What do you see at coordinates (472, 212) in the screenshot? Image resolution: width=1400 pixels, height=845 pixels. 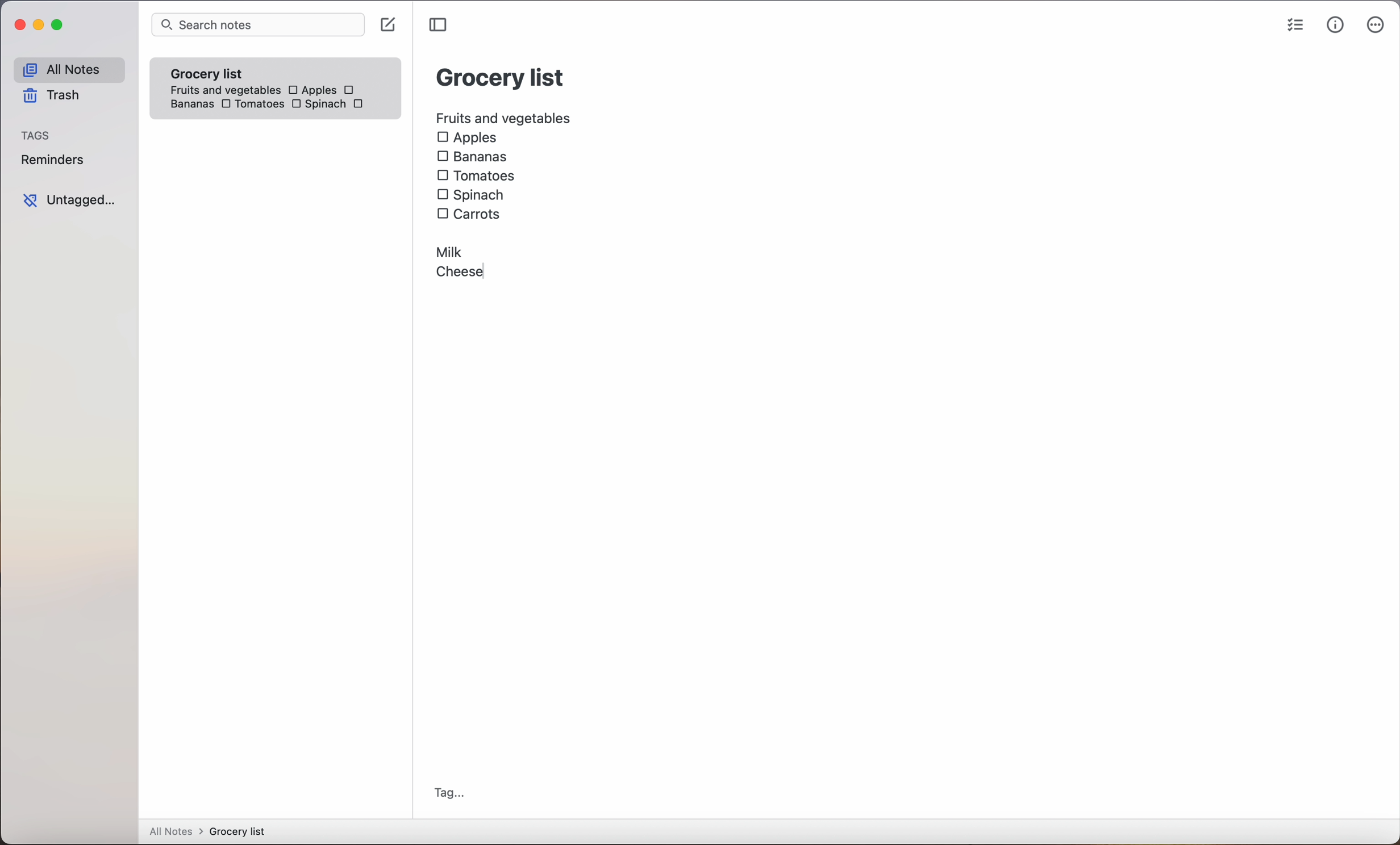 I see `carrots checkbox` at bounding box center [472, 212].